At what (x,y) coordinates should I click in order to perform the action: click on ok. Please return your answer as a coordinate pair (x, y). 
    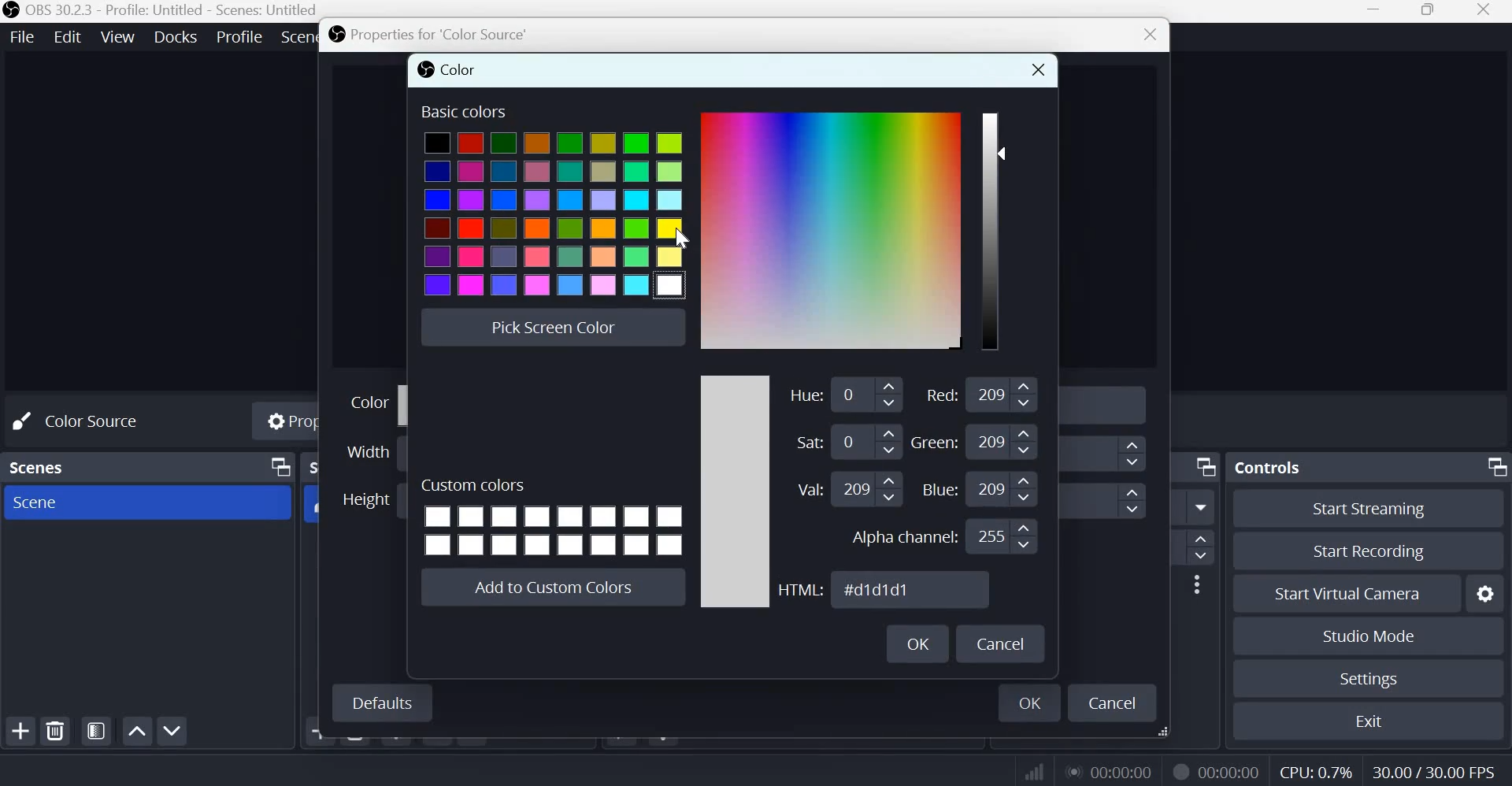
    Looking at the image, I should click on (1031, 700).